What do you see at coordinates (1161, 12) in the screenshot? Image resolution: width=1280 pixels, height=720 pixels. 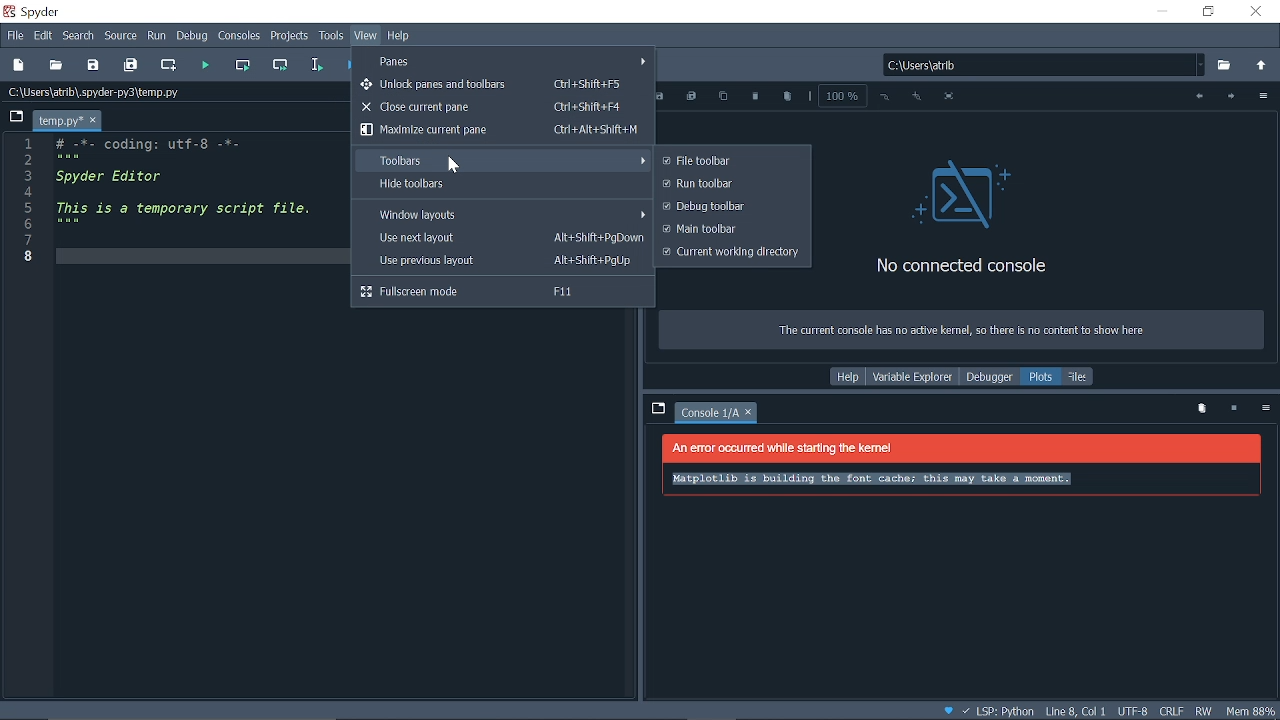 I see `Minimize` at bounding box center [1161, 12].